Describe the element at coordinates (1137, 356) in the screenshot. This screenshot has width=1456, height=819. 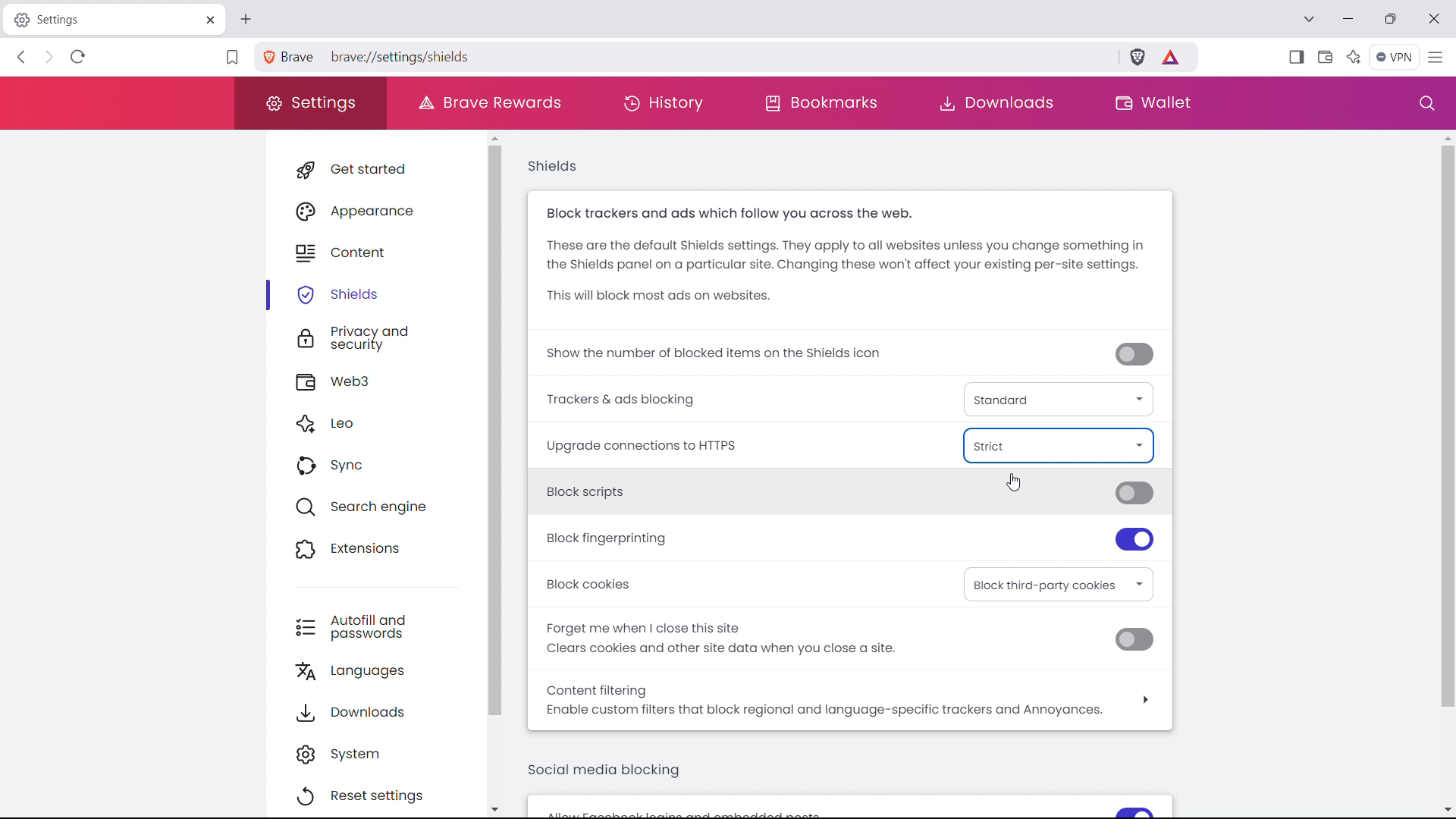
I see `toggle off` at that location.